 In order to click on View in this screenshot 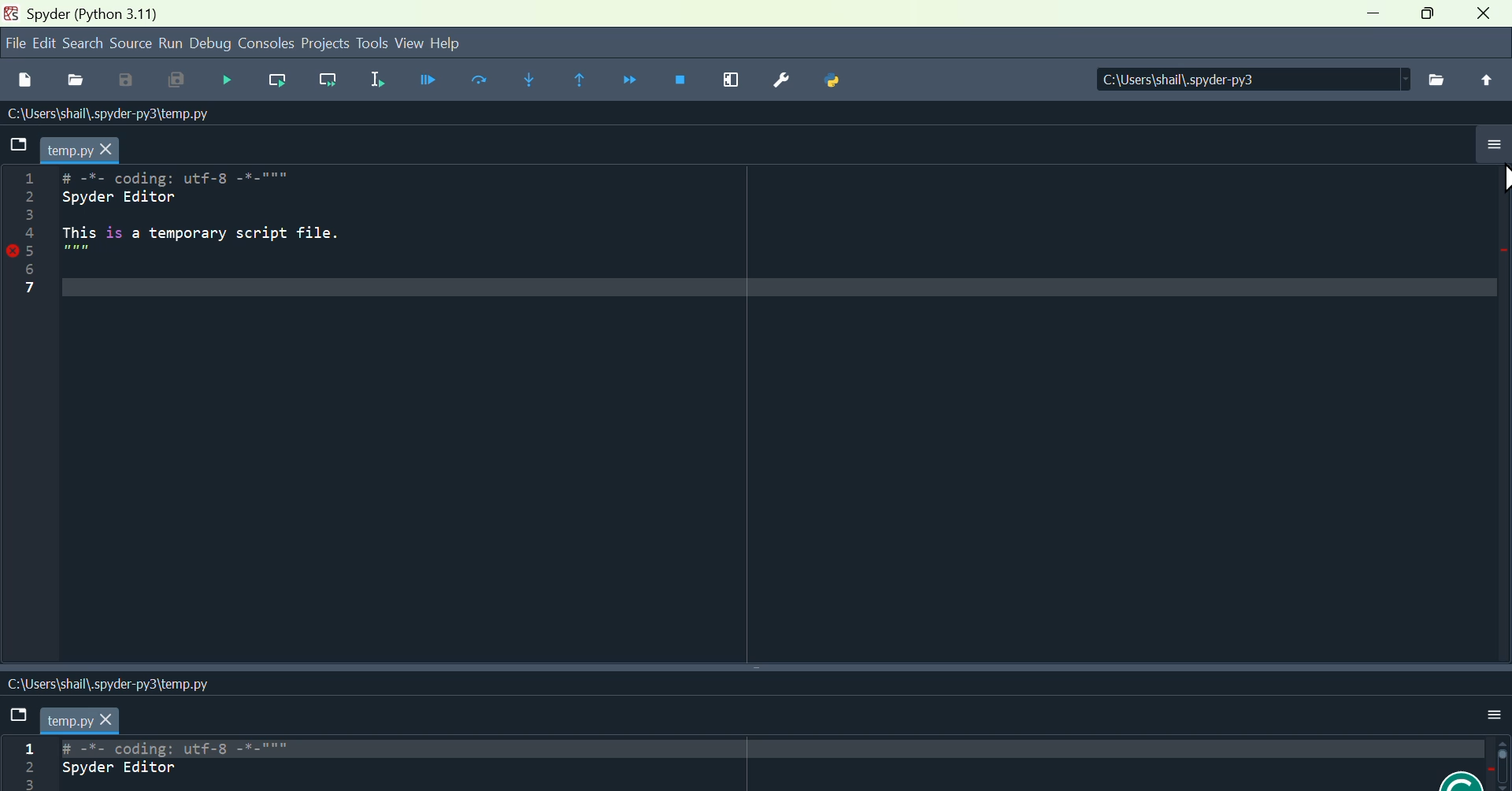, I will do `click(407, 44)`.